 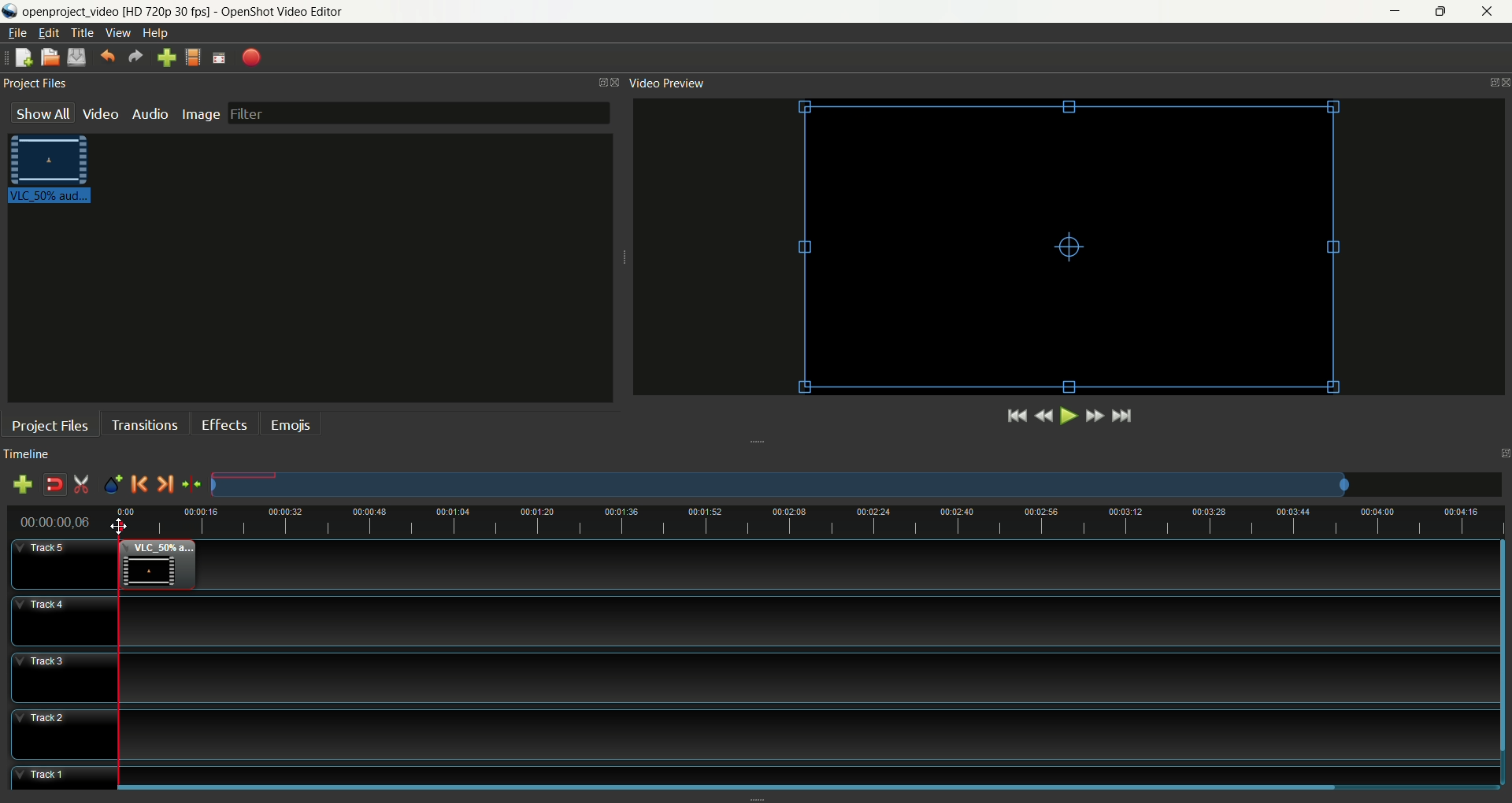 I want to click on filter, so click(x=418, y=113).